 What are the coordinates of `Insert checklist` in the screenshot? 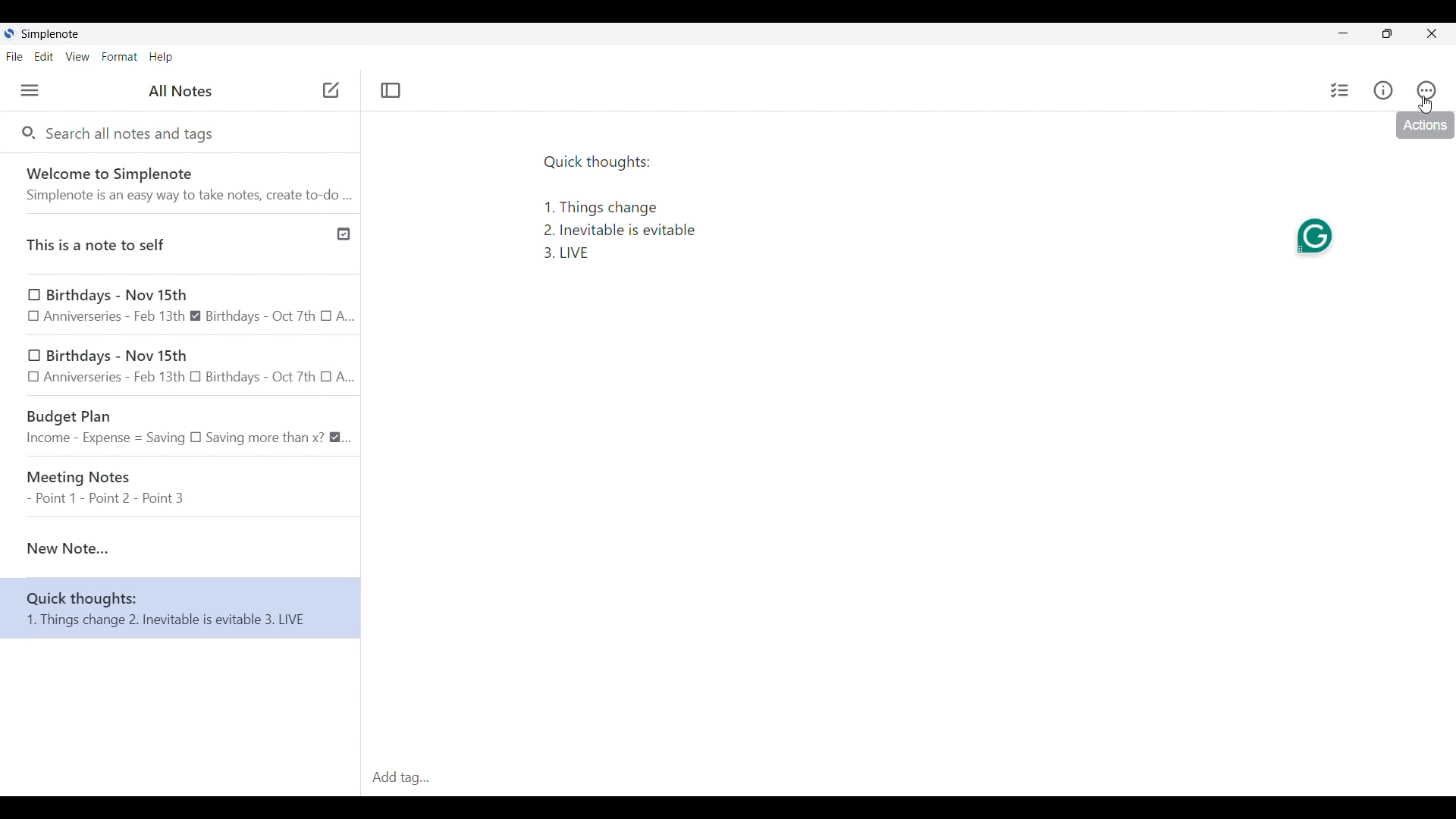 It's located at (1340, 90).